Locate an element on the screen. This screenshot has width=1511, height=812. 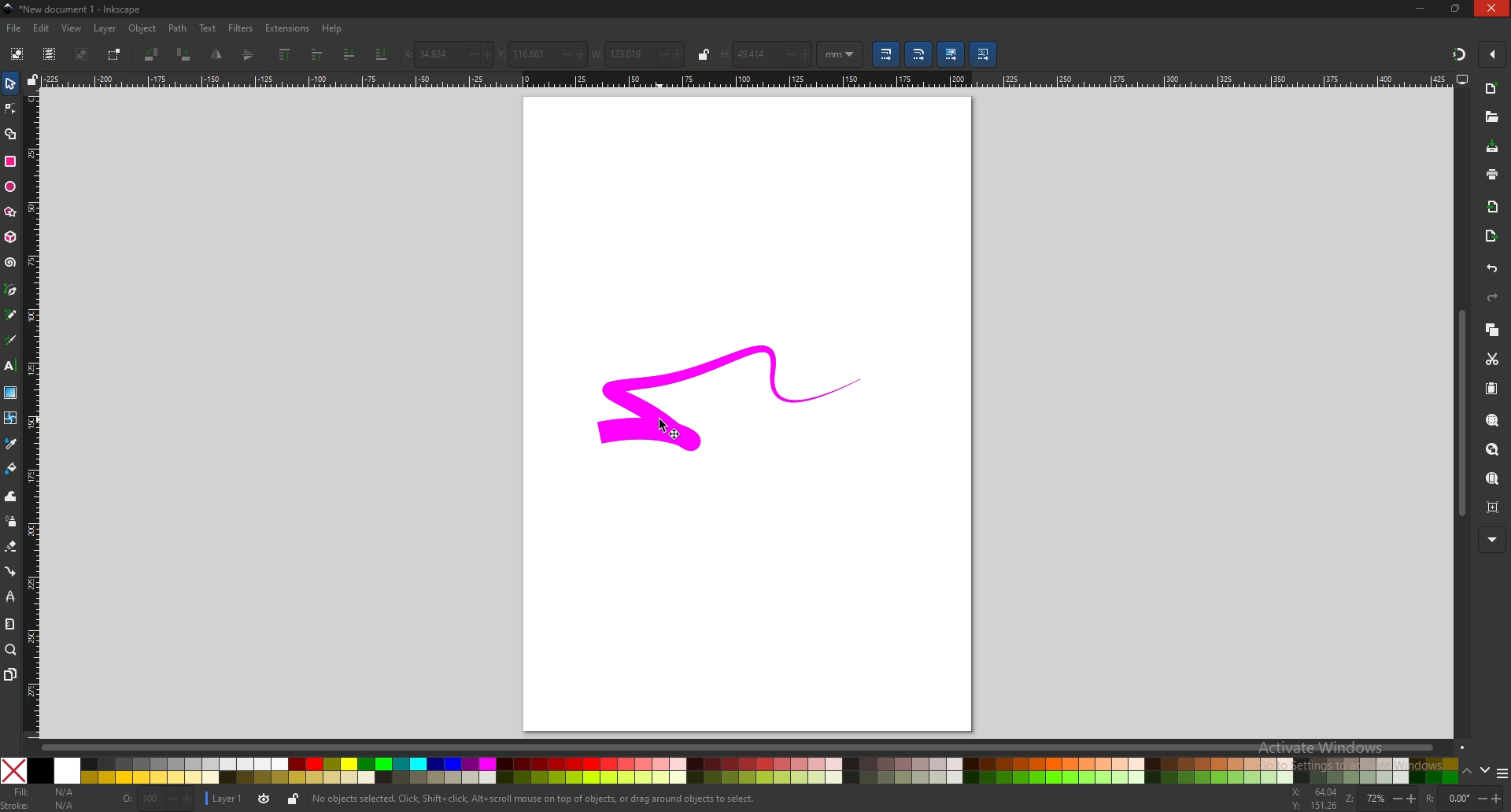
print is located at coordinates (1493, 174).